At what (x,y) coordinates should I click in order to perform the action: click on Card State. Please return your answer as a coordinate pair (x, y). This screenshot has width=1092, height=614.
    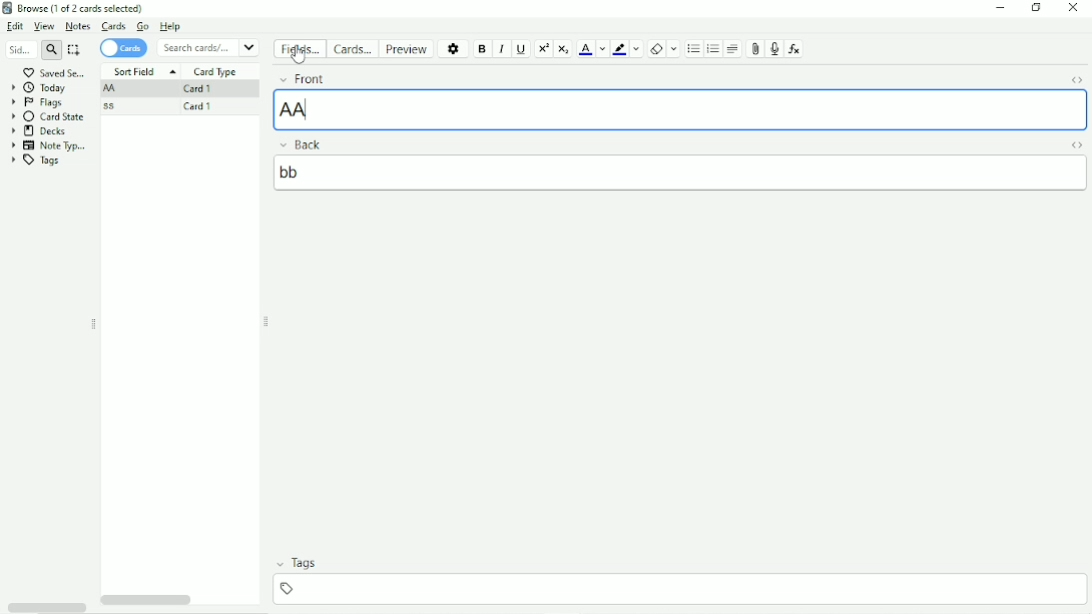
    Looking at the image, I should click on (49, 117).